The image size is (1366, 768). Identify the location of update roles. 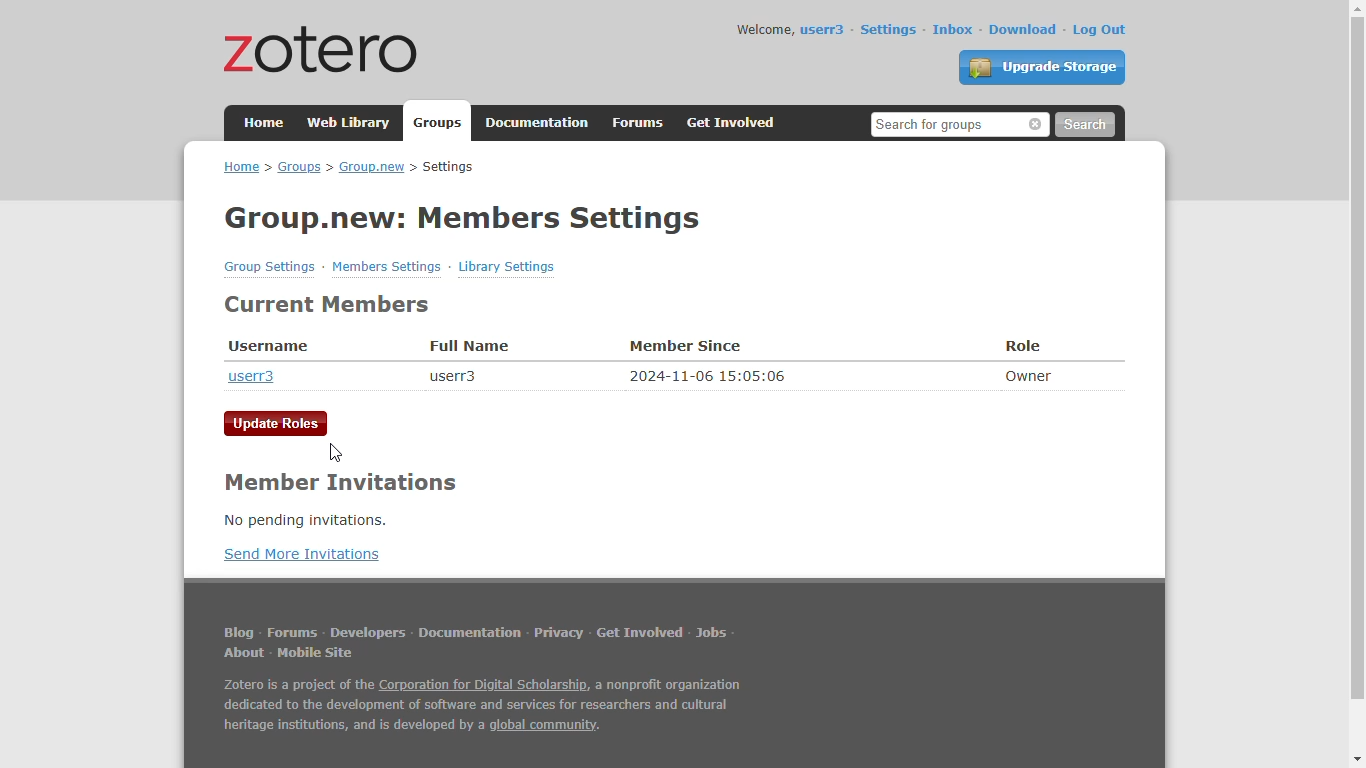
(277, 424).